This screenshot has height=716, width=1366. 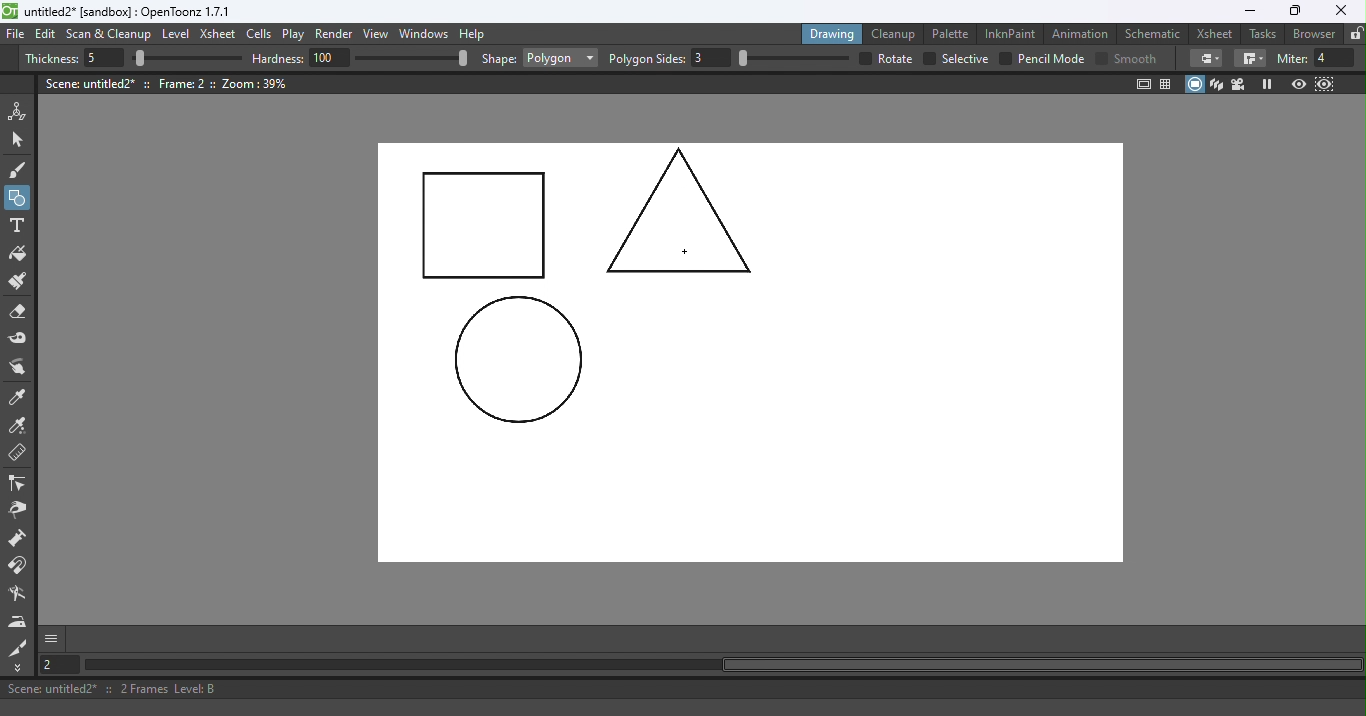 I want to click on 3D View, so click(x=1218, y=84).